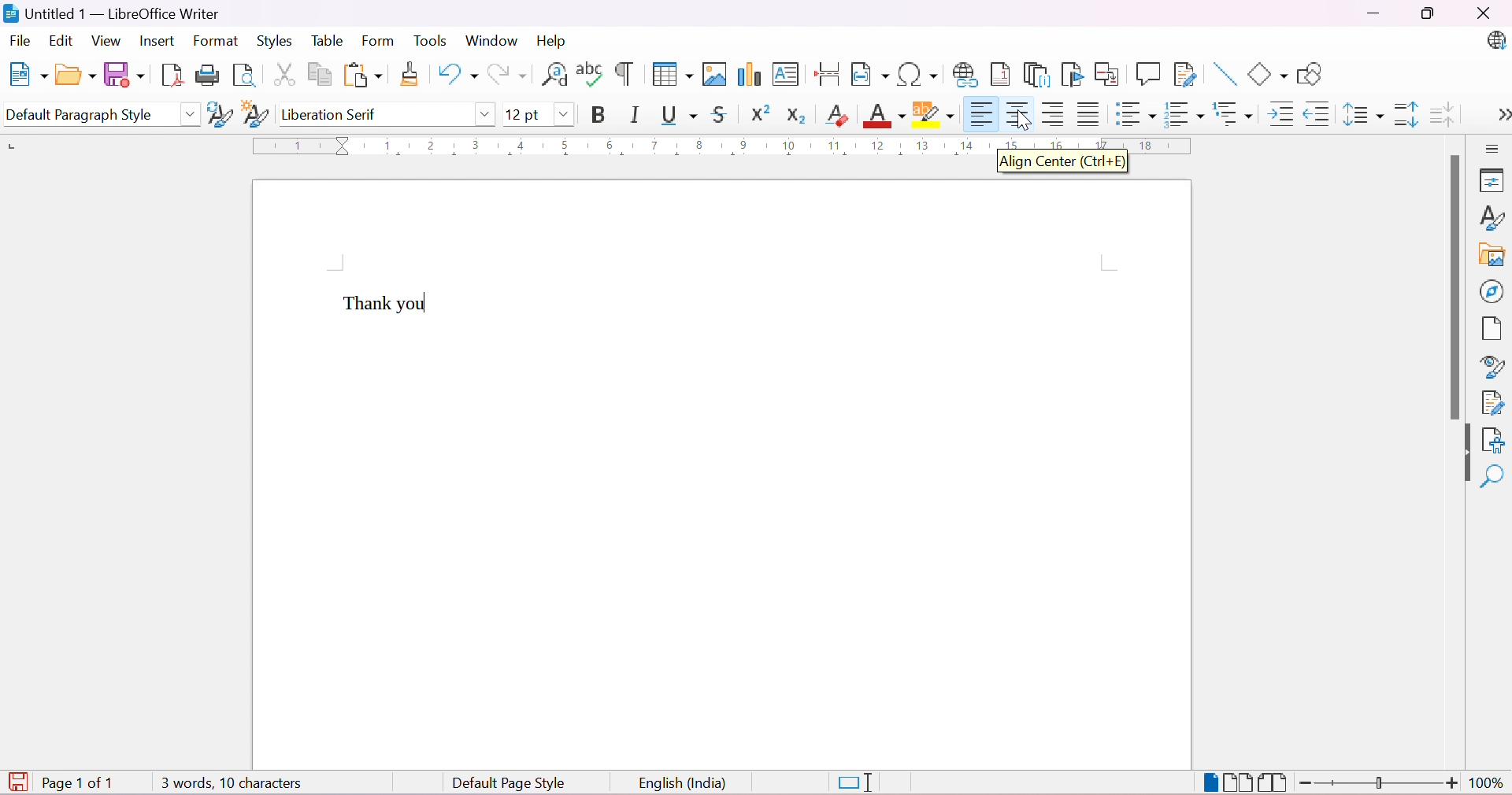  What do you see at coordinates (272, 40) in the screenshot?
I see `Styles` at bounding box center [272, 40].